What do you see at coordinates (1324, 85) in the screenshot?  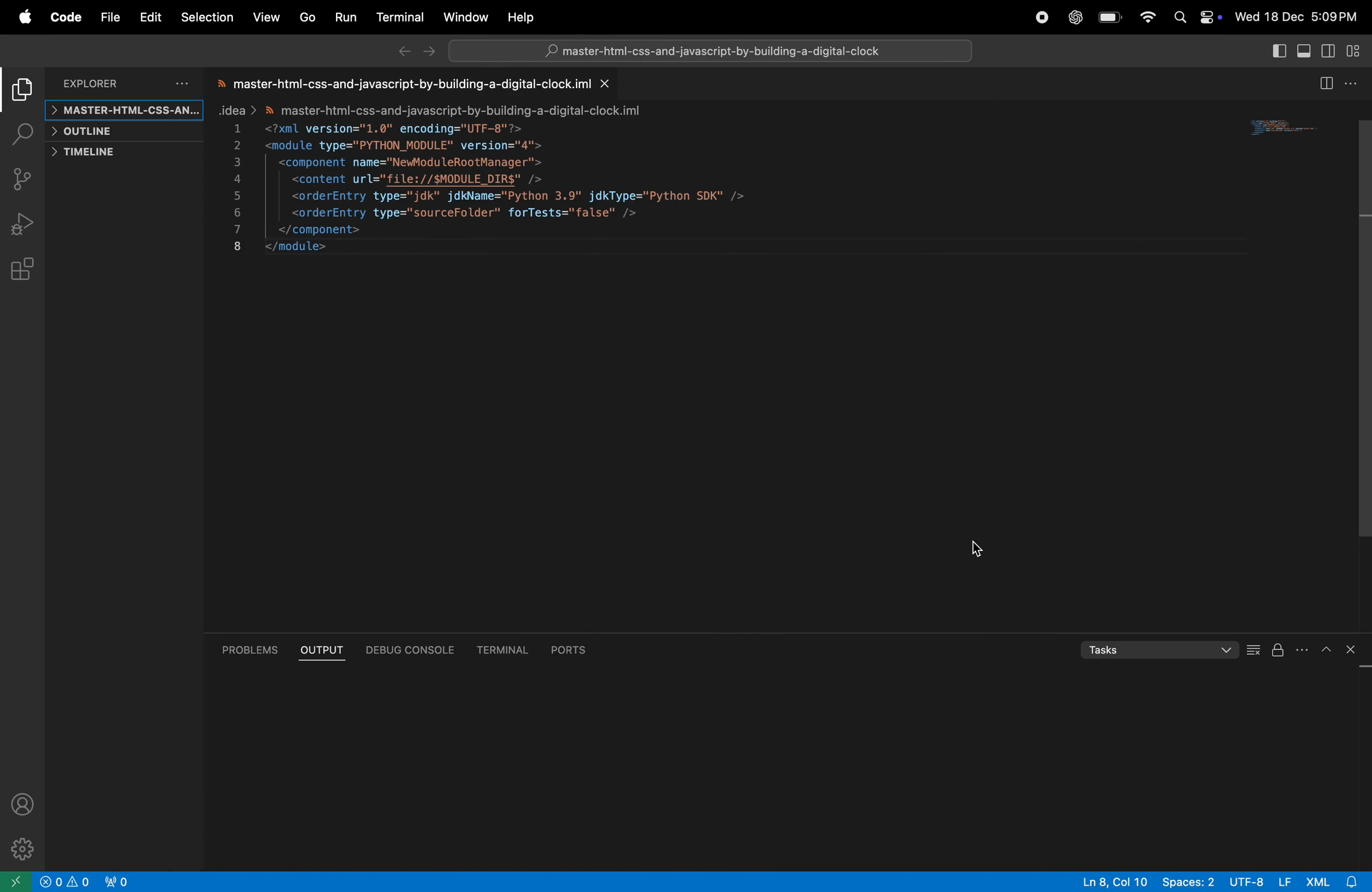 I see `split editor` at bounding box center [1324, 85].